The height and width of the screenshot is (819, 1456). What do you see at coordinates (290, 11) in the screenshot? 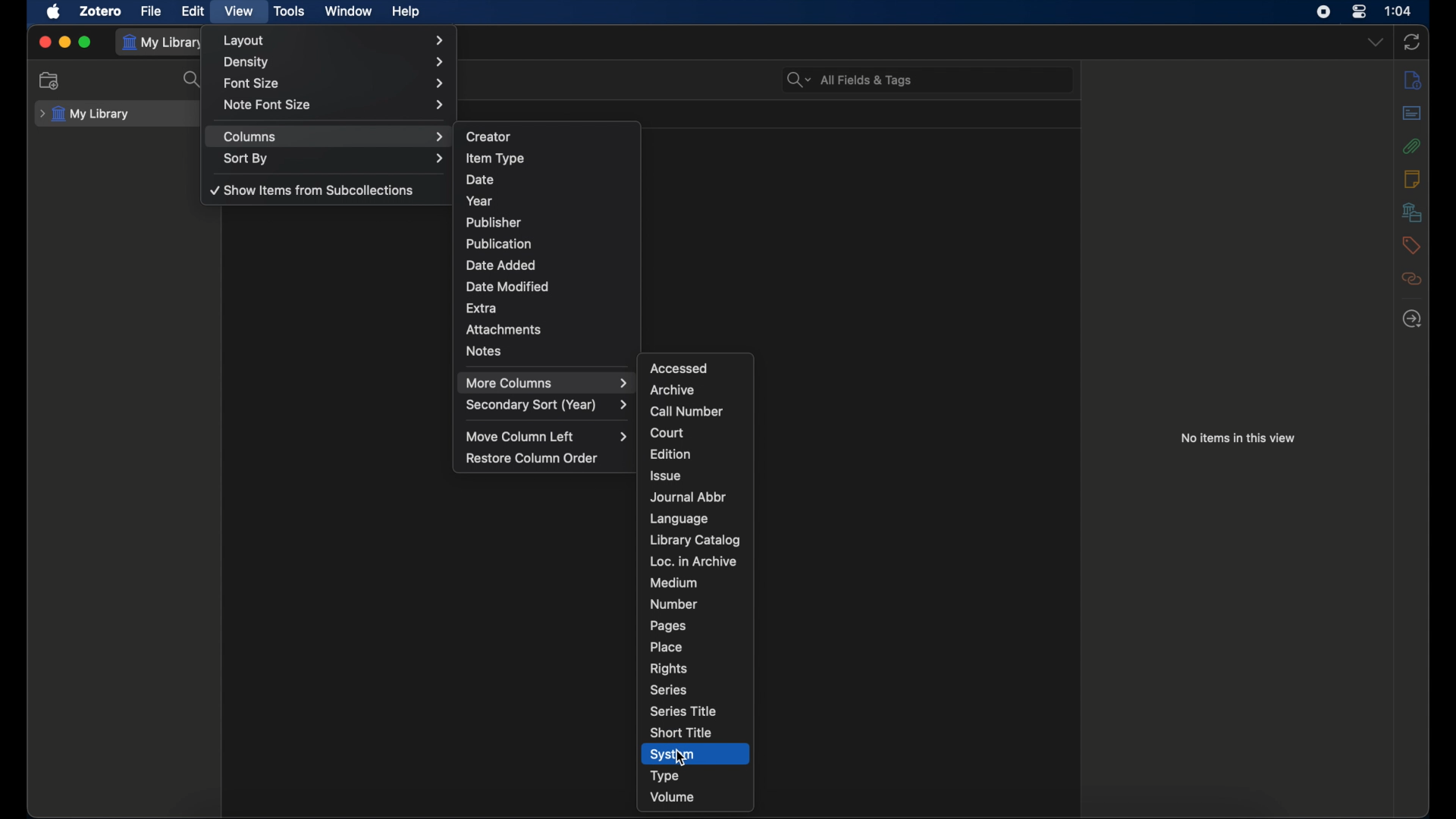
I see `tools` at bounding box center [290, 11].